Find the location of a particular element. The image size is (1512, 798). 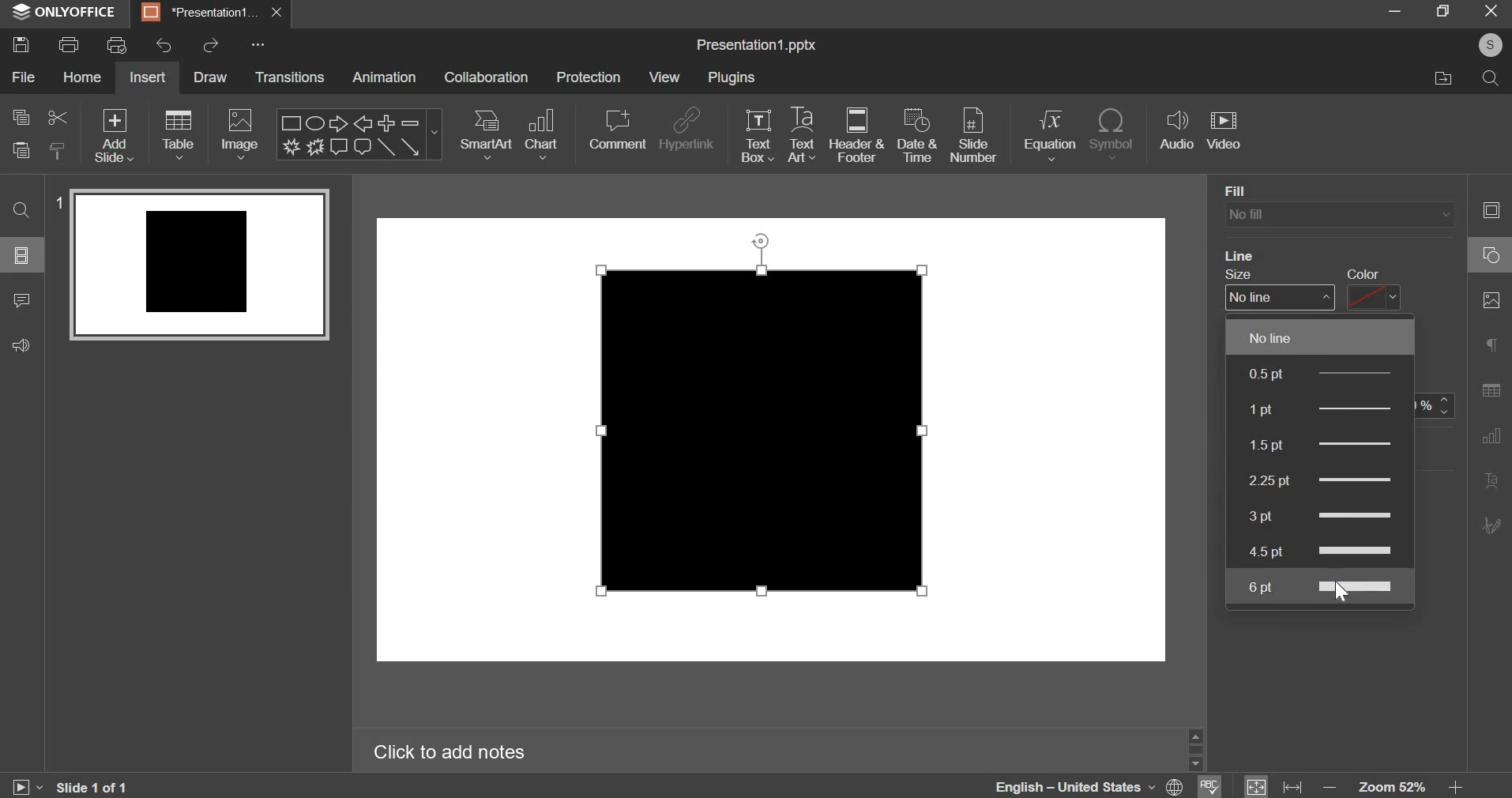

chart is located at coordinates (540, 134).